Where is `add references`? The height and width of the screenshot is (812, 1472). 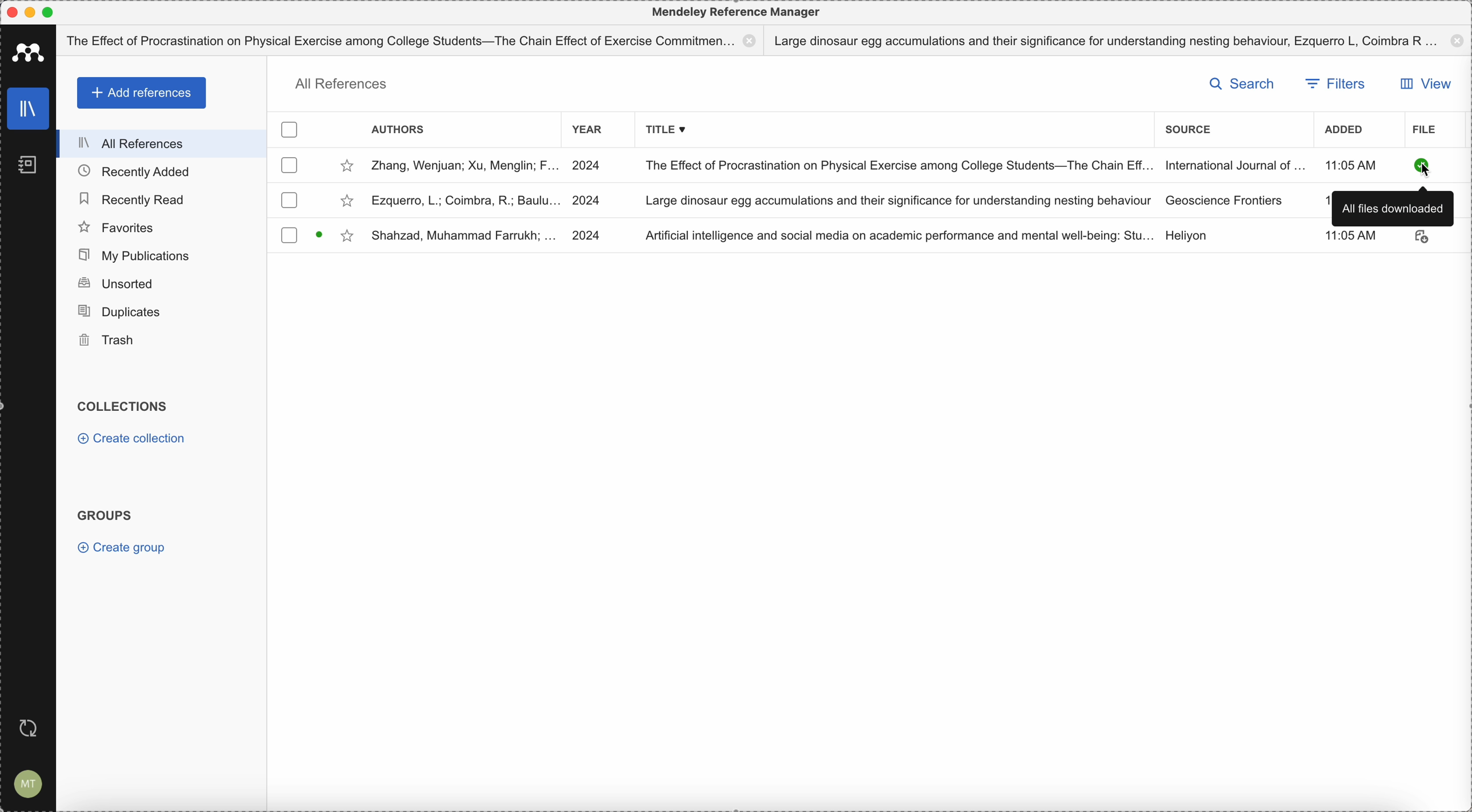 add references is located at coordinates (143, 93).